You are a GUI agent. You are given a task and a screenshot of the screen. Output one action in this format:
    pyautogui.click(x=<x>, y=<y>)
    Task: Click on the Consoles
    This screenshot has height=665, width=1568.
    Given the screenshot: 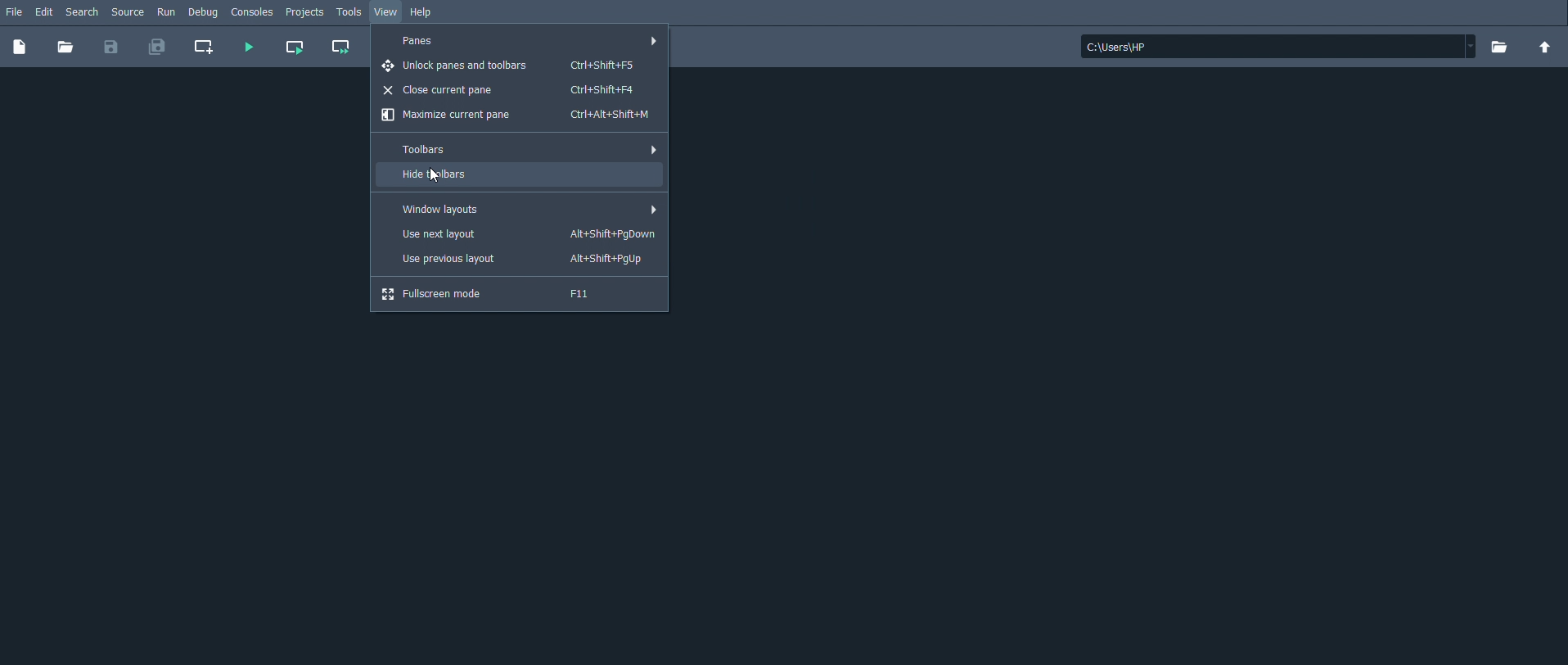 What is the action you would take?
    pyautogui.click(x=254, y=13)
    